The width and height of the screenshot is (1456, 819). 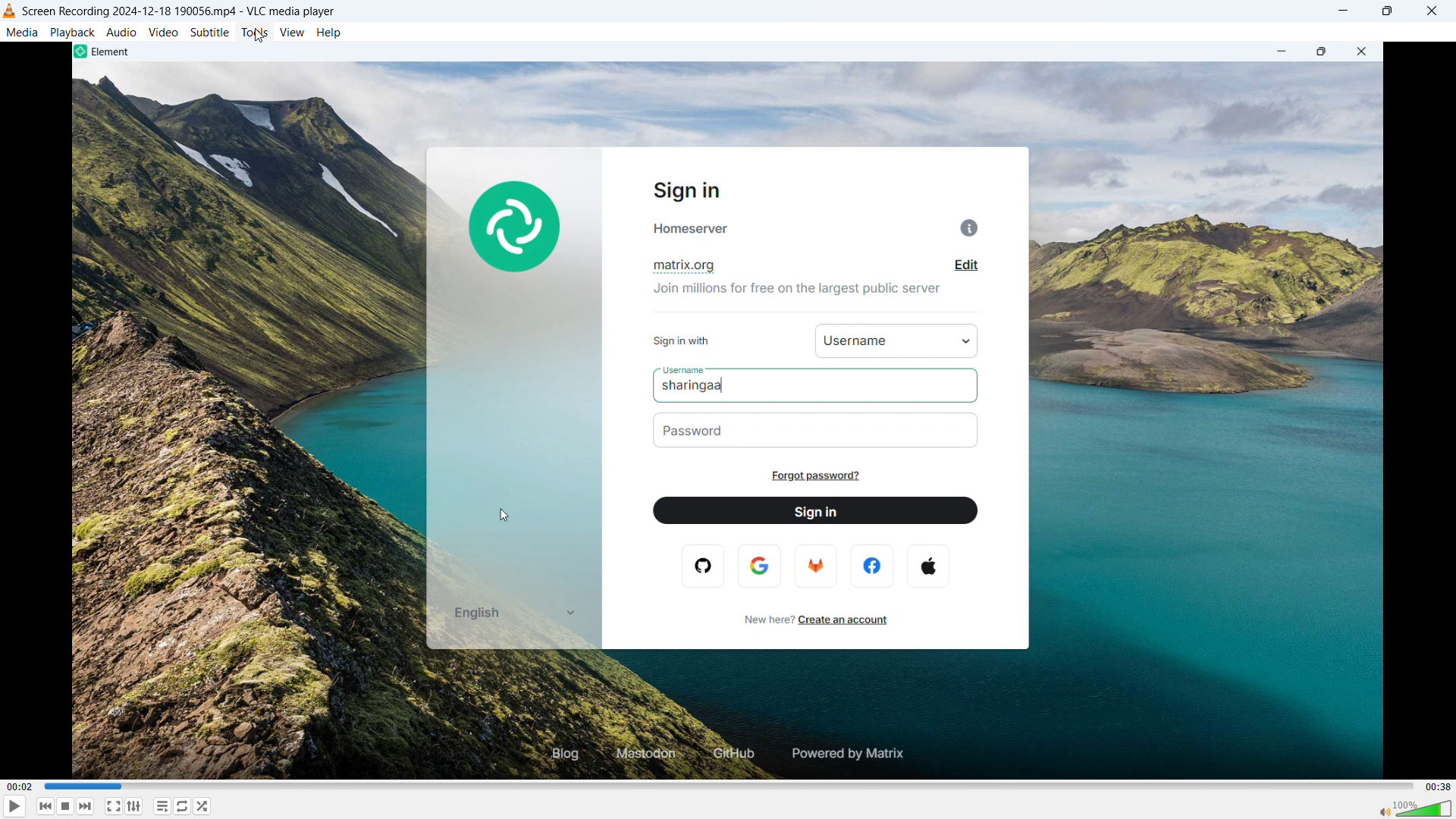 What do you see at coordinates (957, 230) in the screenshot?
I see `info` at bounding box center [957, 230].